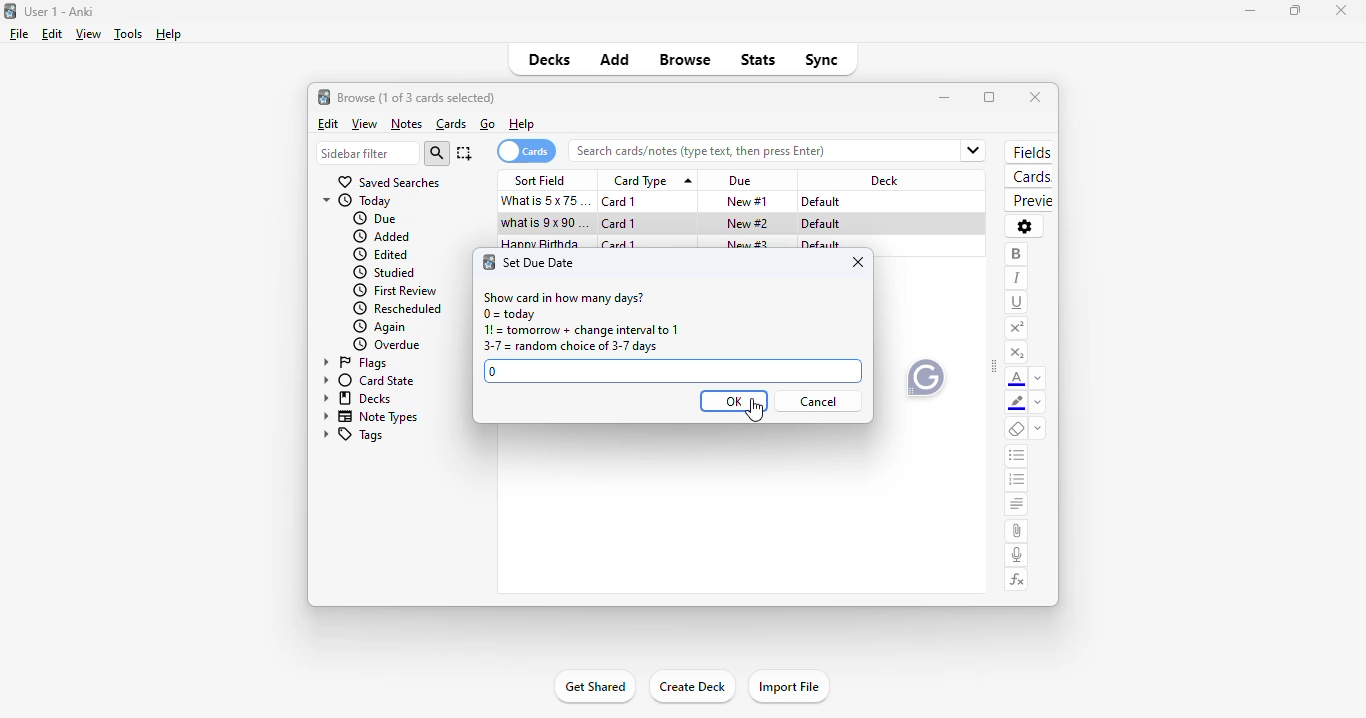  What do you see at coordinates (1025, 227) in the screenshot?
I see `options` at bounding box center [1025, 227].